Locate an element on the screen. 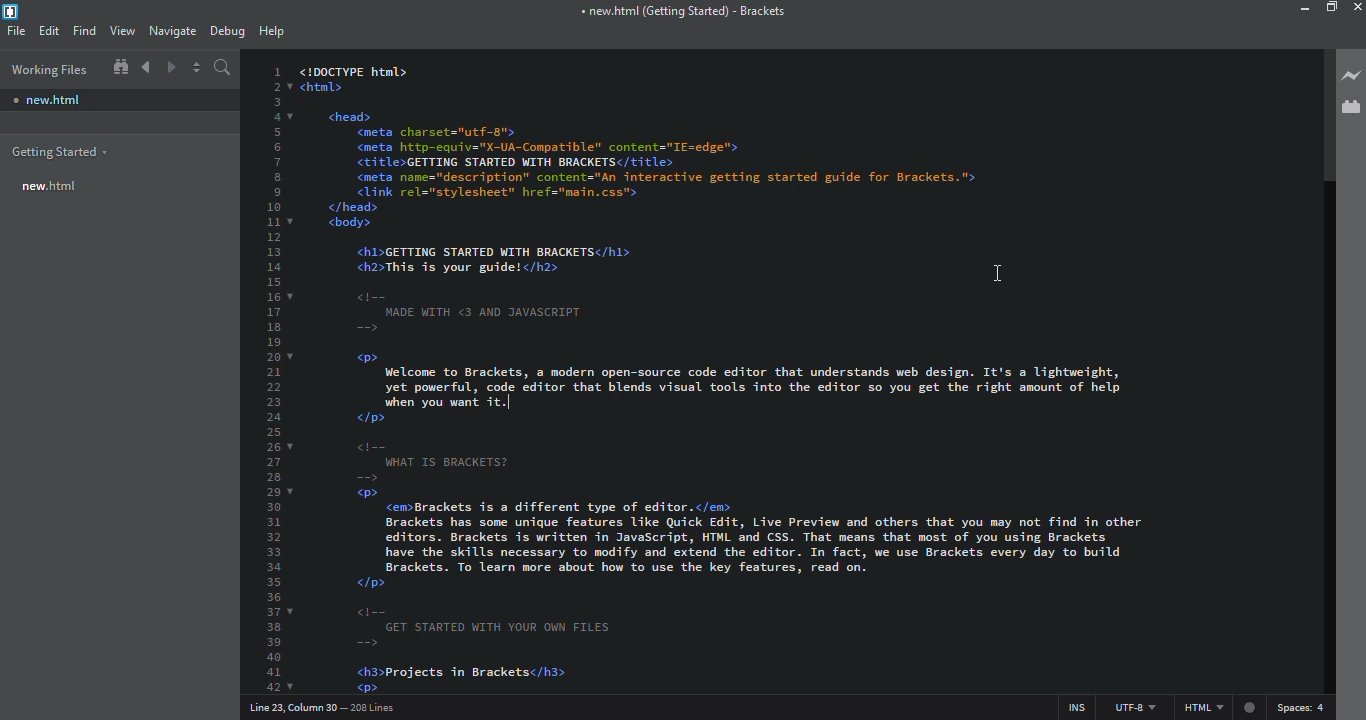  navigate is located at coordinates (175, 30).